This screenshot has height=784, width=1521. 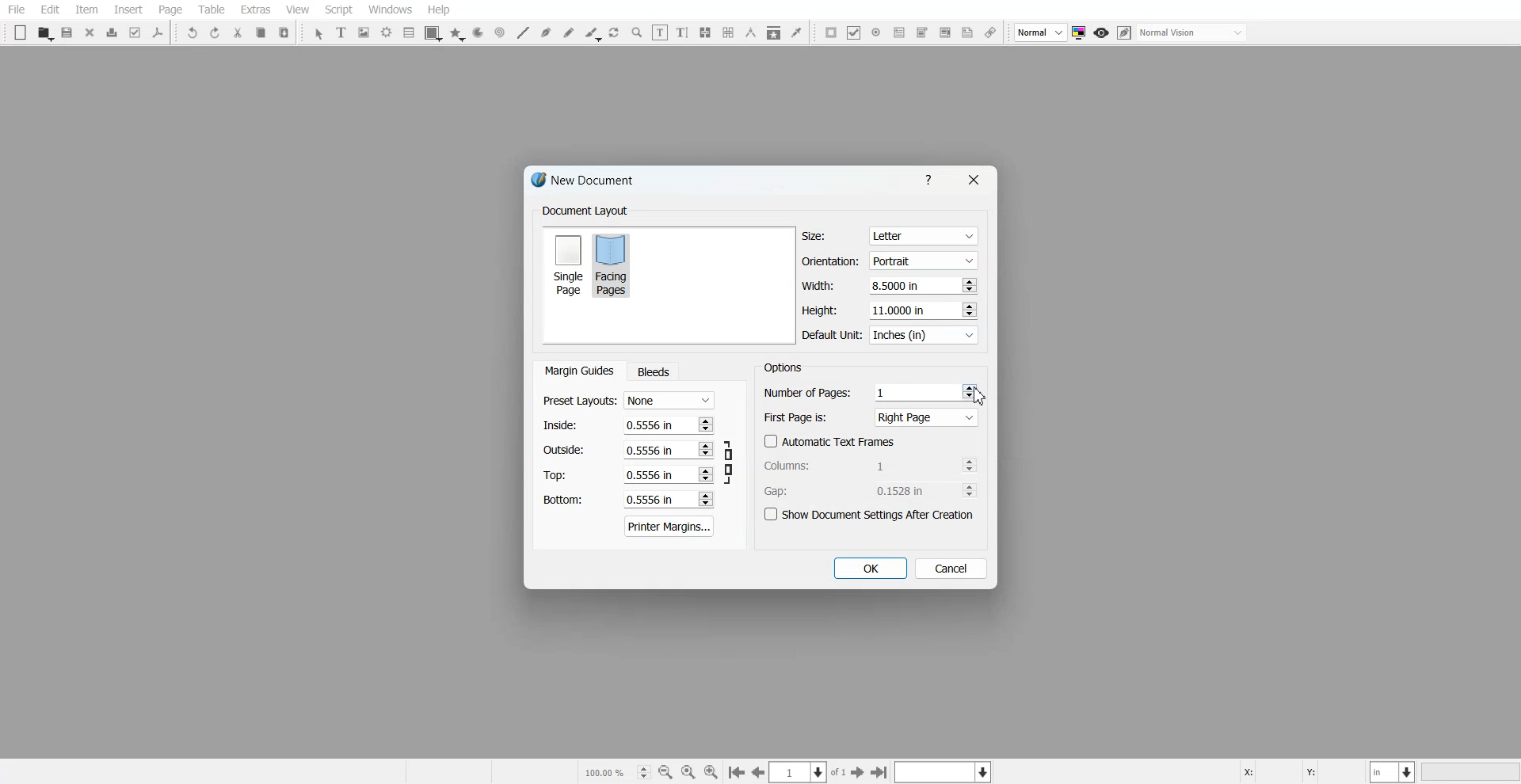 I want to click on Redo, so click(x=215, y=32).